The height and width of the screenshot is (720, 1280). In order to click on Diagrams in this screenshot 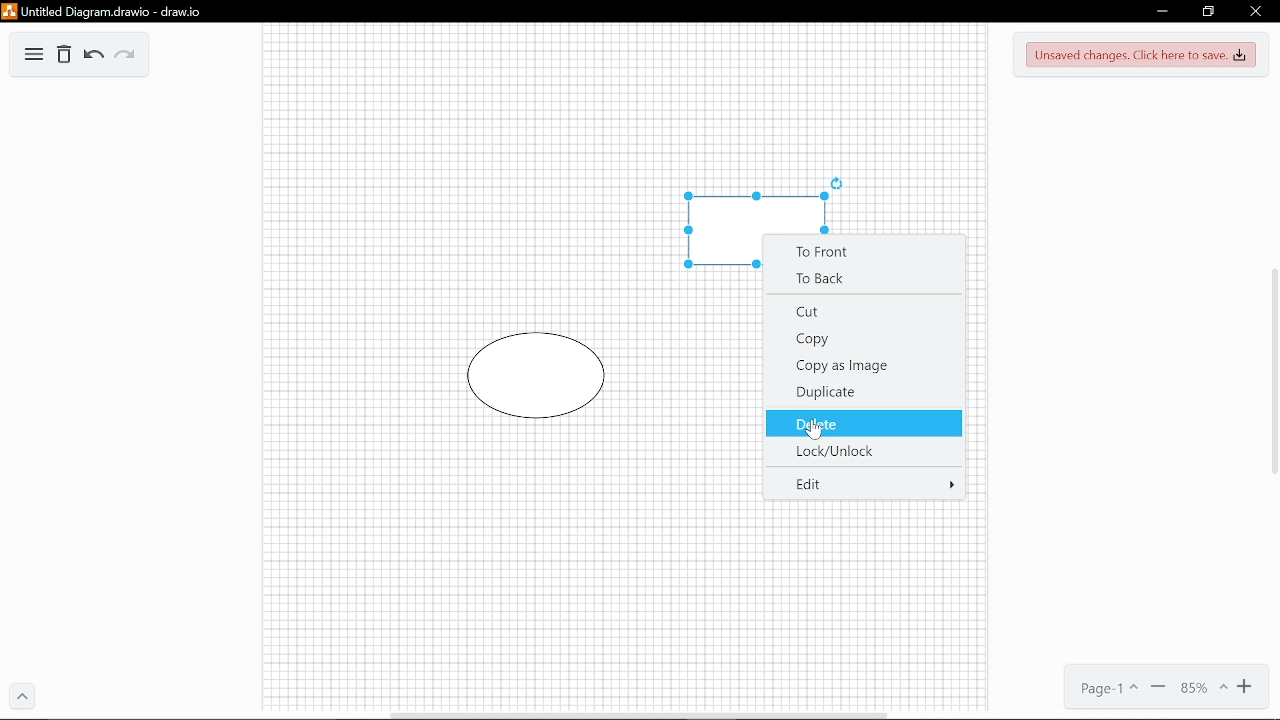, I will do `click(34, 57)`.